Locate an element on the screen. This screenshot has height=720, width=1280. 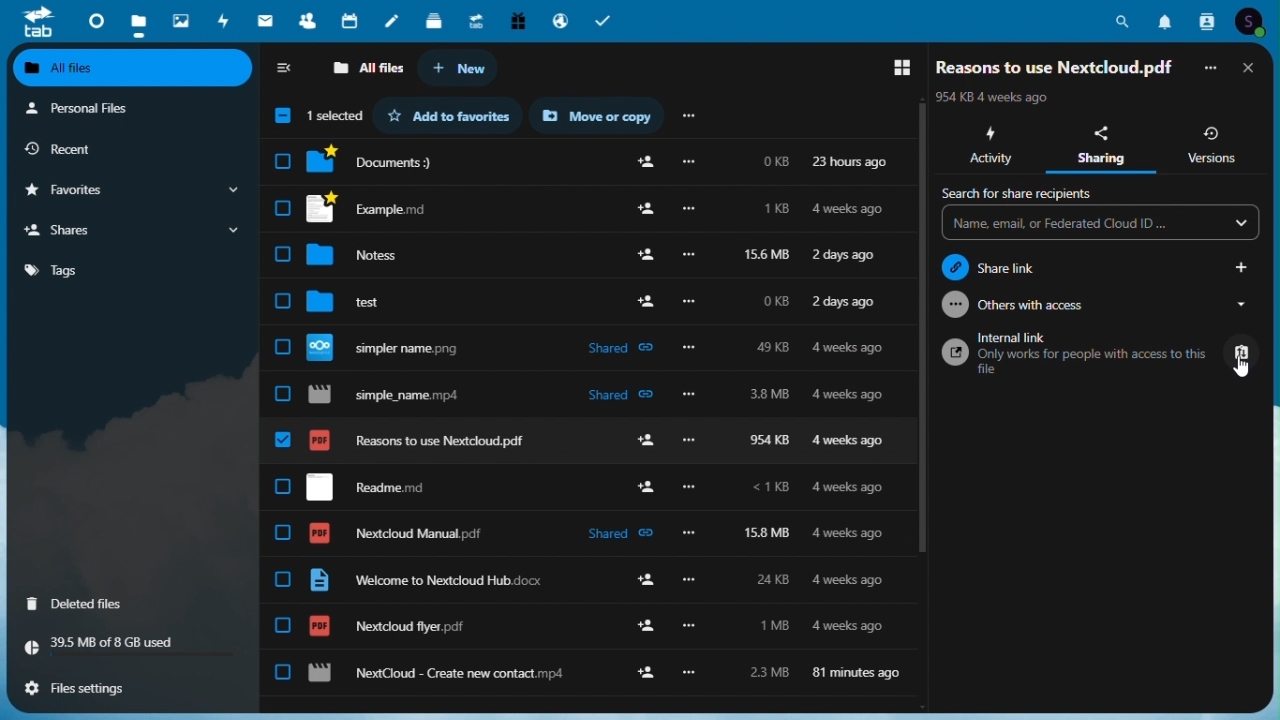
last modified time is located at coordinates (996, 97).